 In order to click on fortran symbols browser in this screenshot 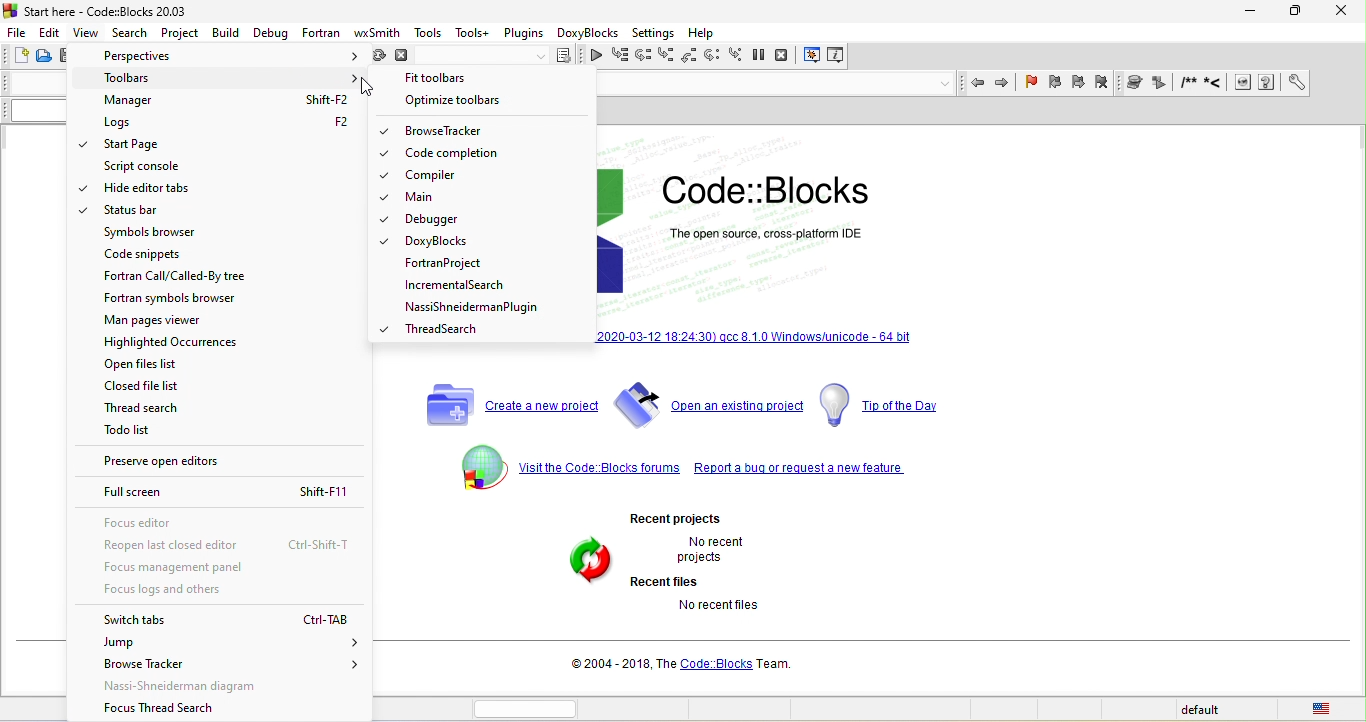, I will do `click(176, 301)`.